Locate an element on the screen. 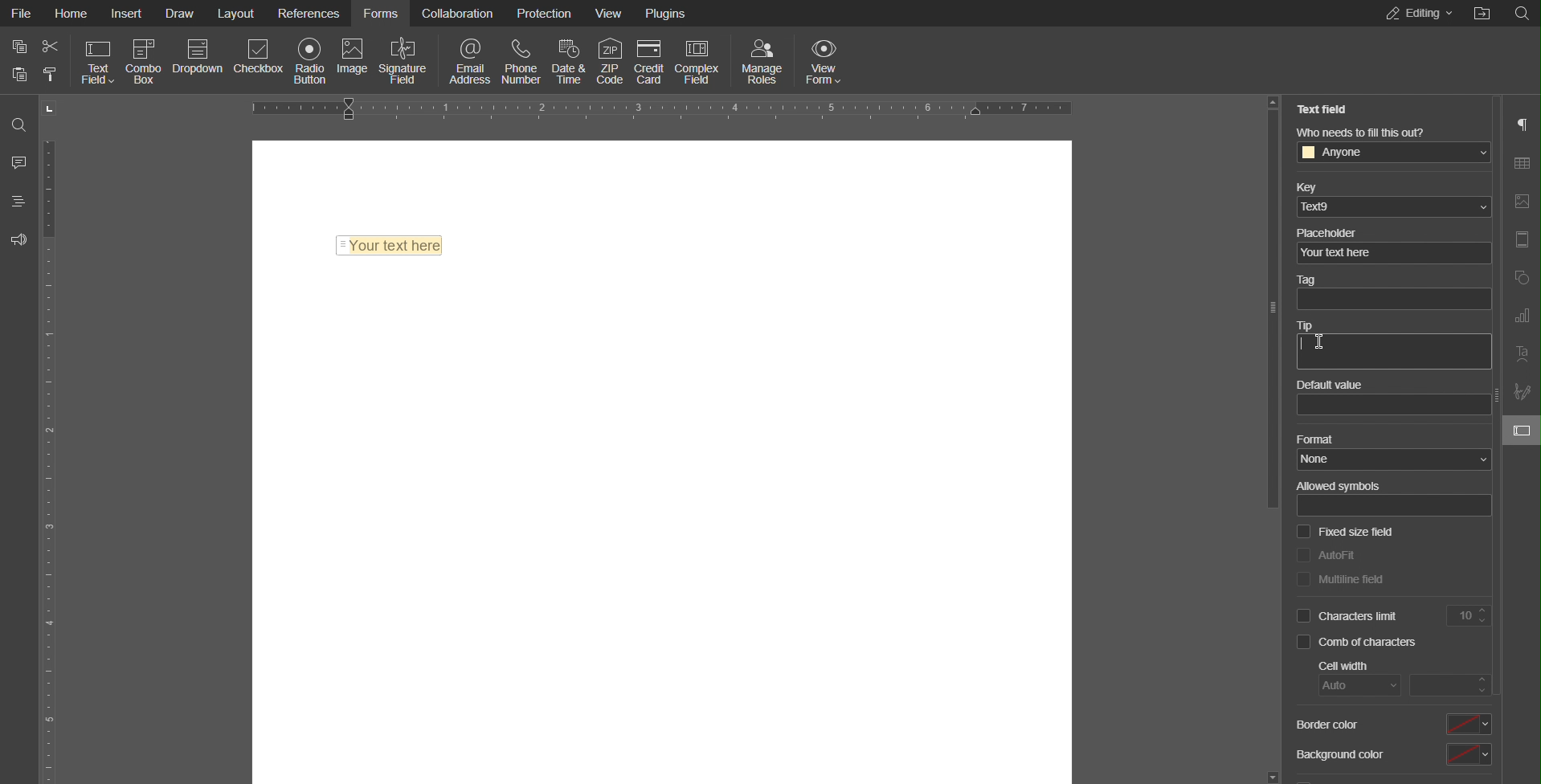 The image size is (1541, 784). Table Settings is located at coordinates (1520, 161).